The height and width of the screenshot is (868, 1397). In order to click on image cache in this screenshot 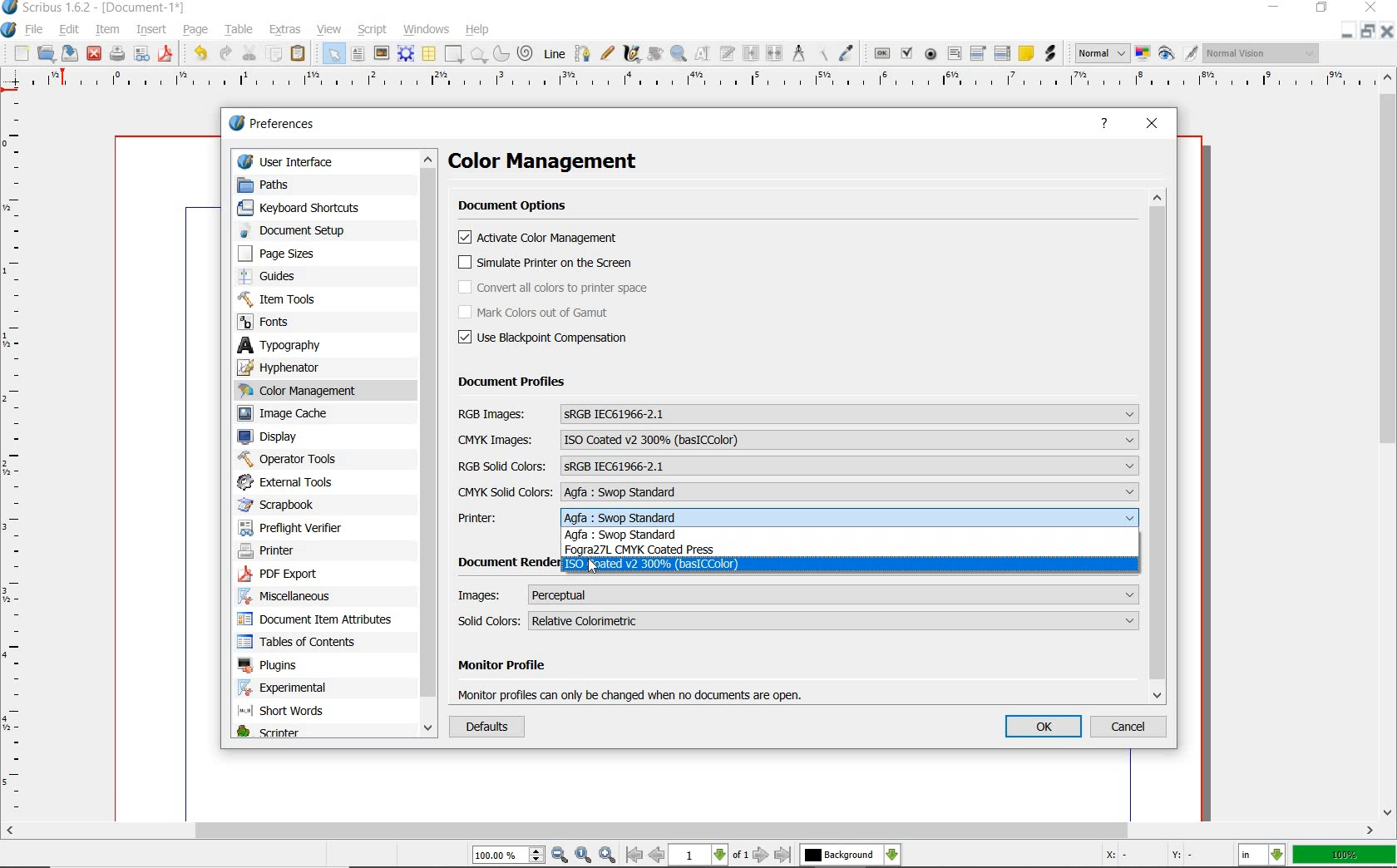, I will do `click(302, 415)`.